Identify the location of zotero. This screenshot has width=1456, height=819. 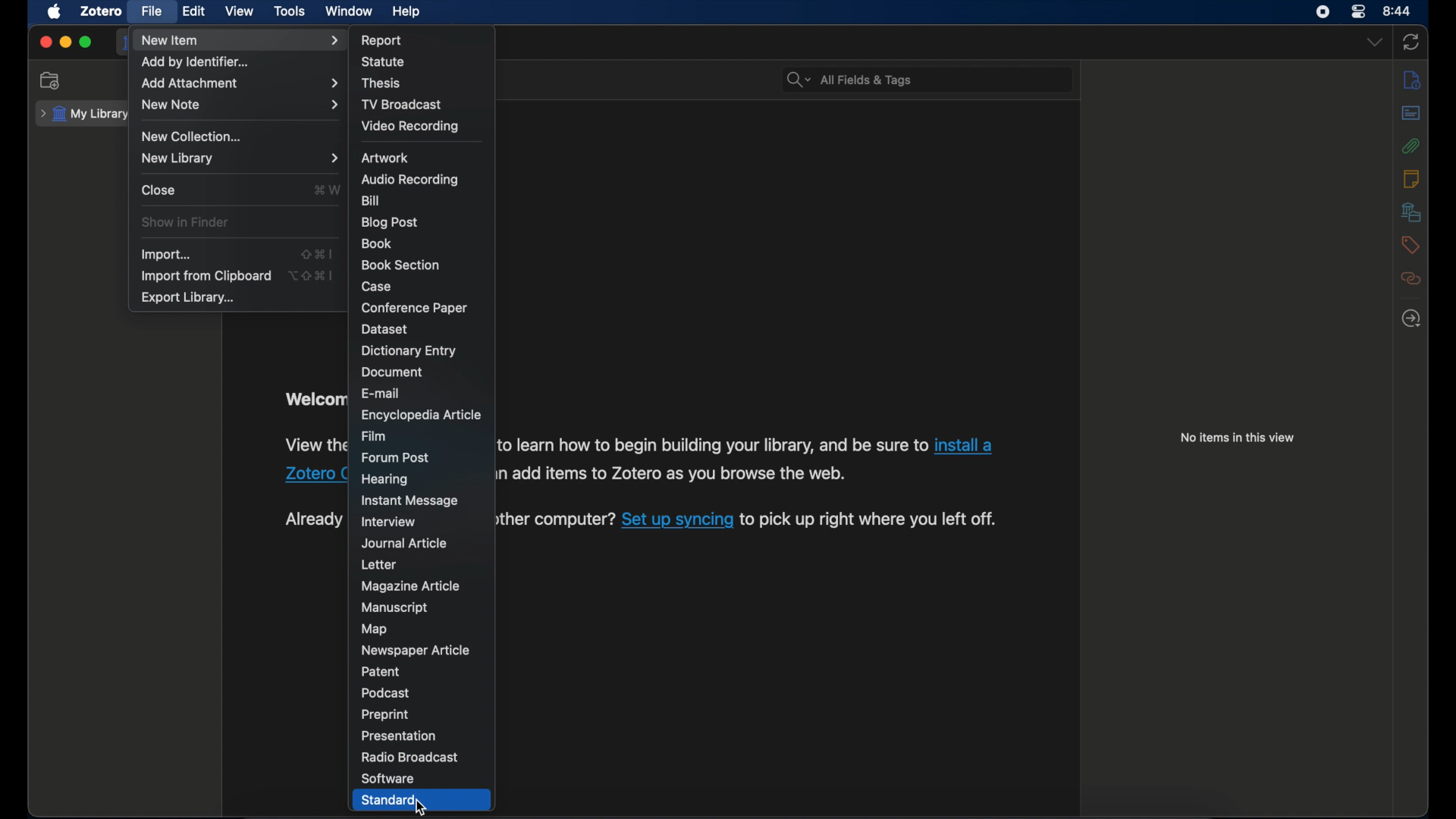
(102, 12).